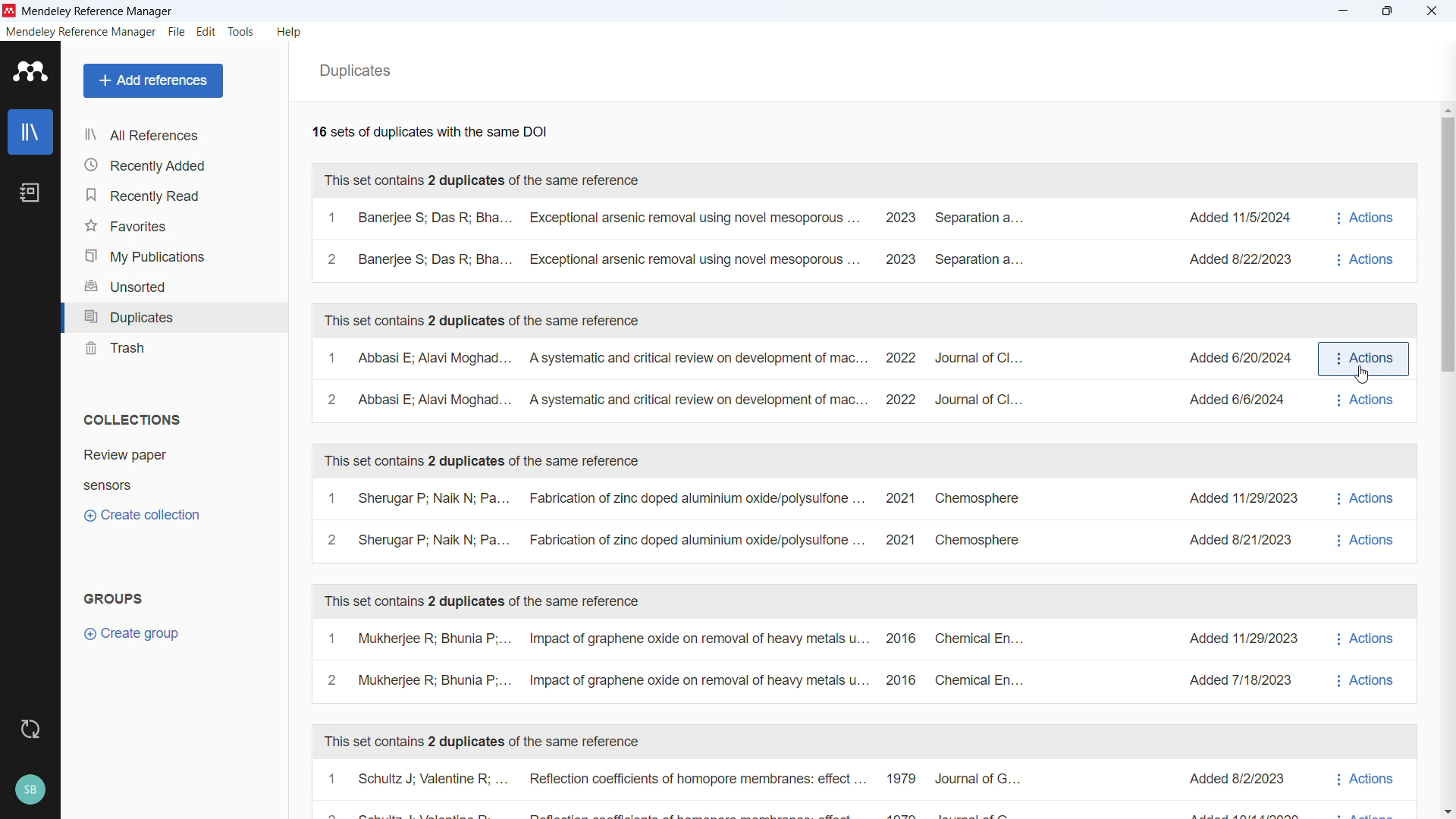  I want to click on This set contains 2 duplicates of the same reference, so click(485, 463).